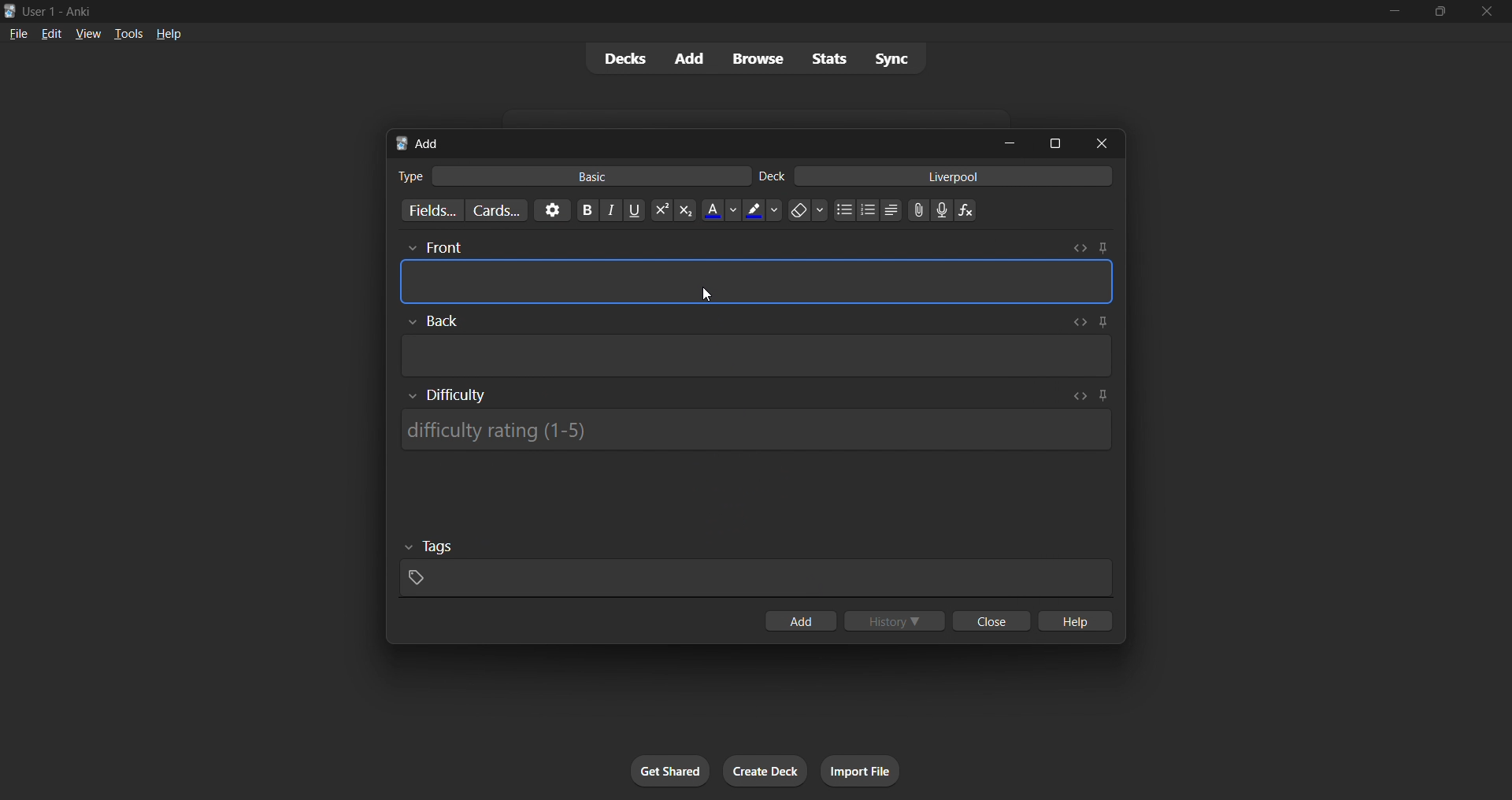  I want to click on options, so click(552, 210).